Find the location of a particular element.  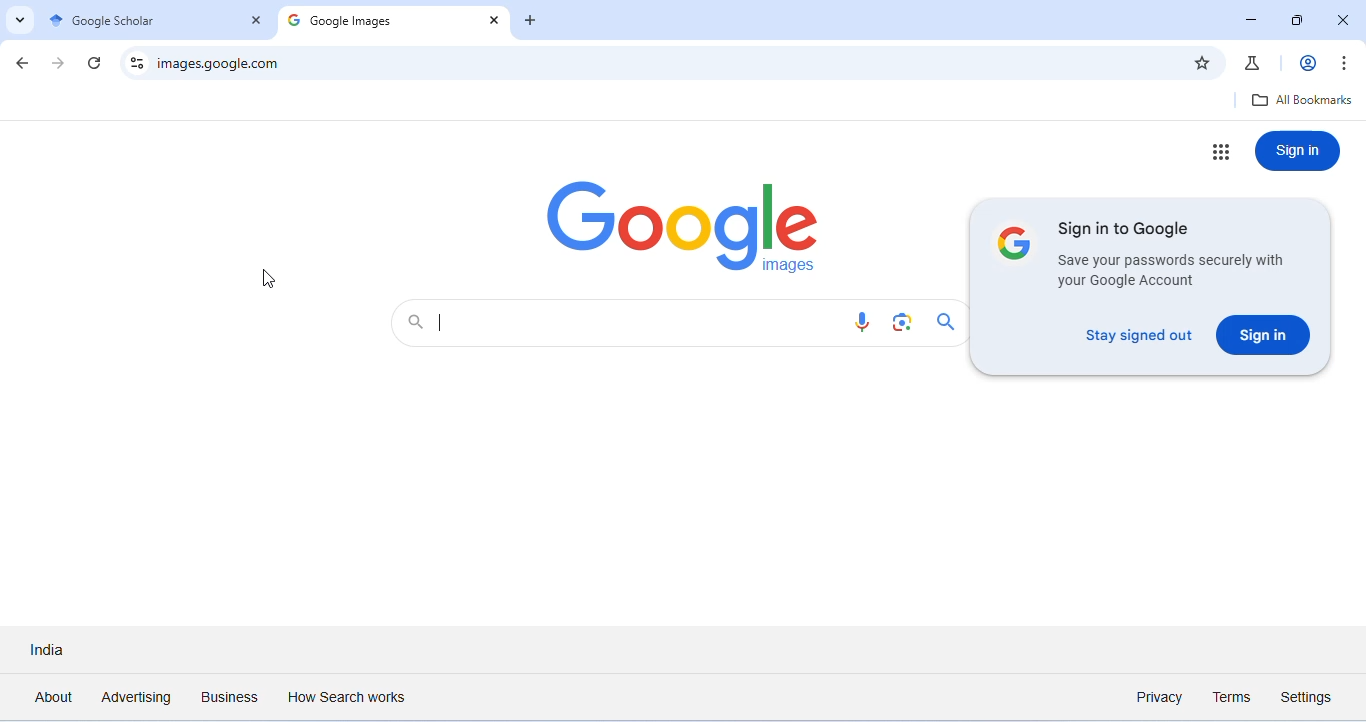

go forward is located at coordinates (61, 64).